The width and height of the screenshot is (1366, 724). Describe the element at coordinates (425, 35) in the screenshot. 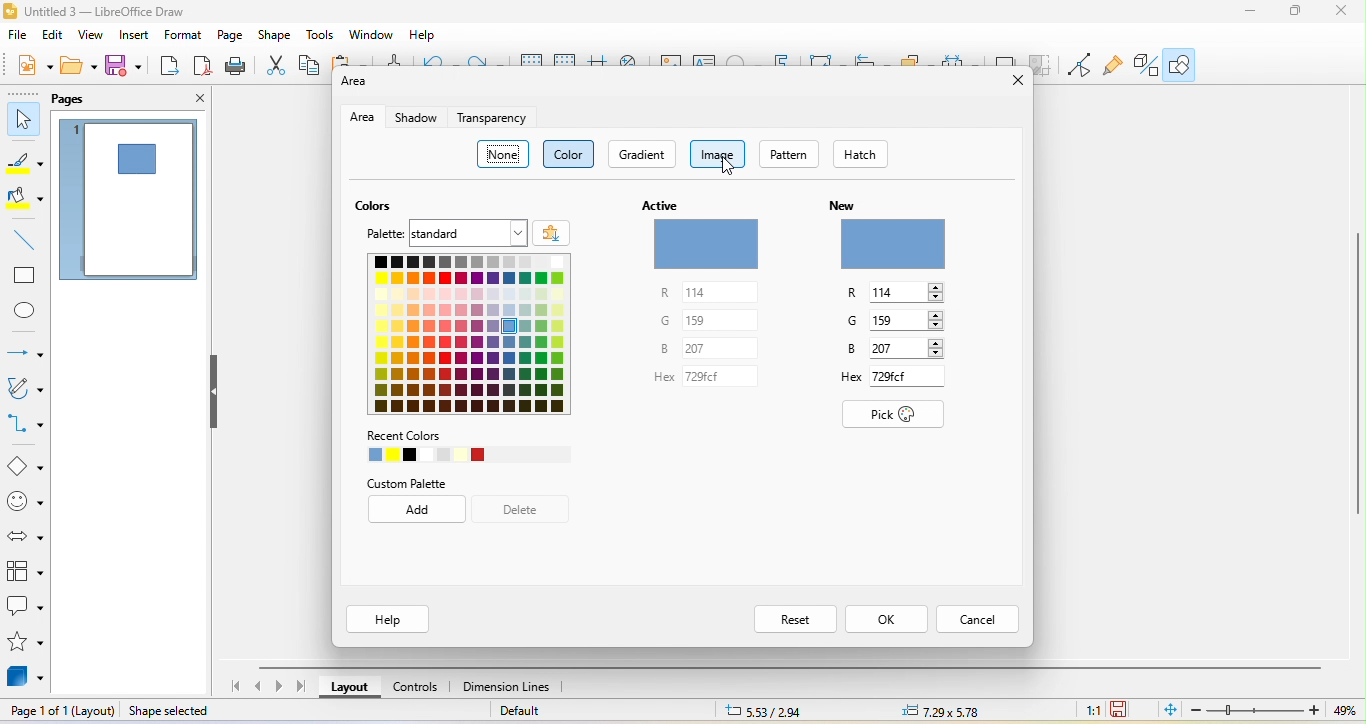

I see `help` at that location.